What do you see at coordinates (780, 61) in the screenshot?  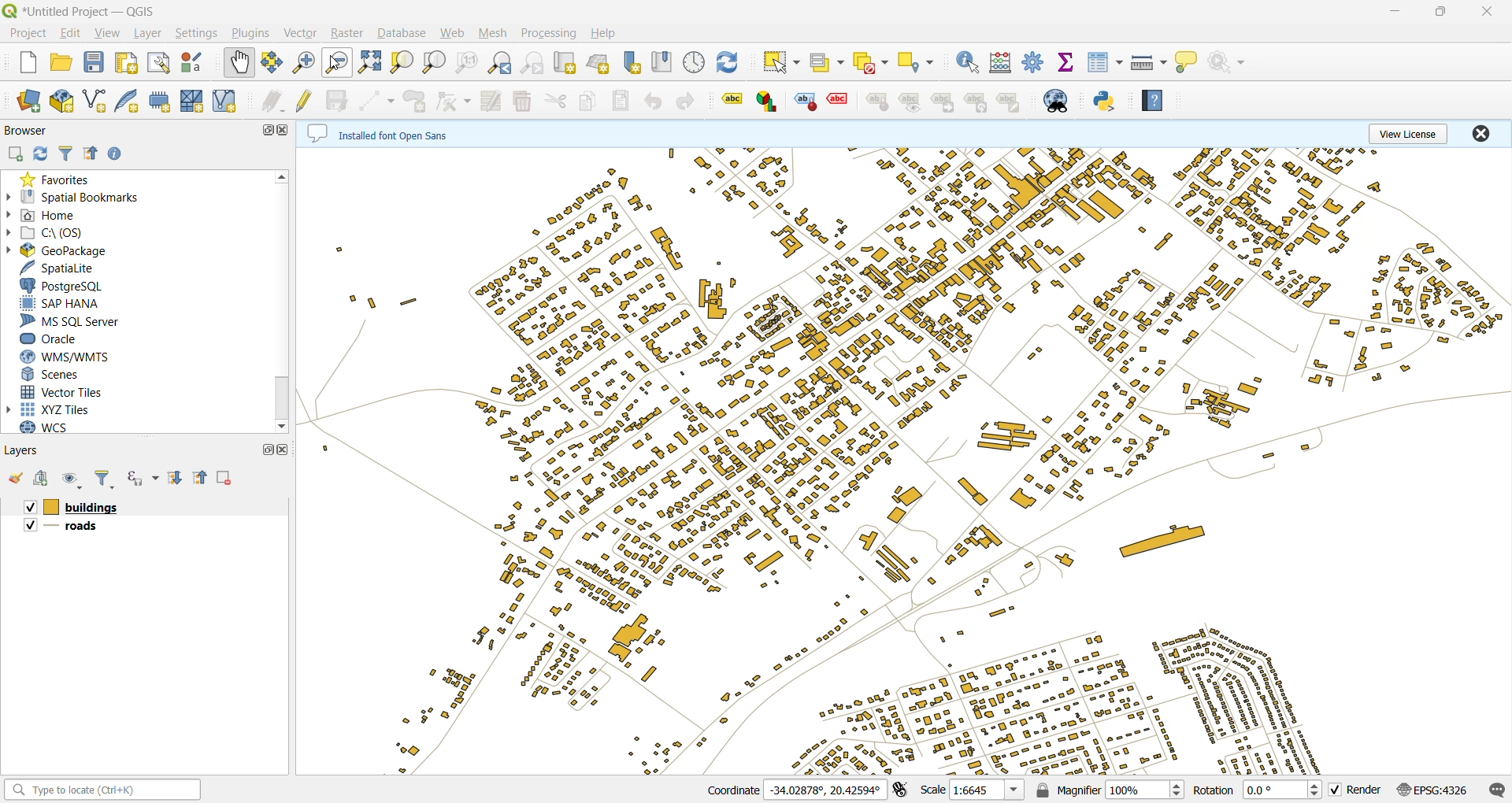 I see `select` at bounding box center [780, 61].